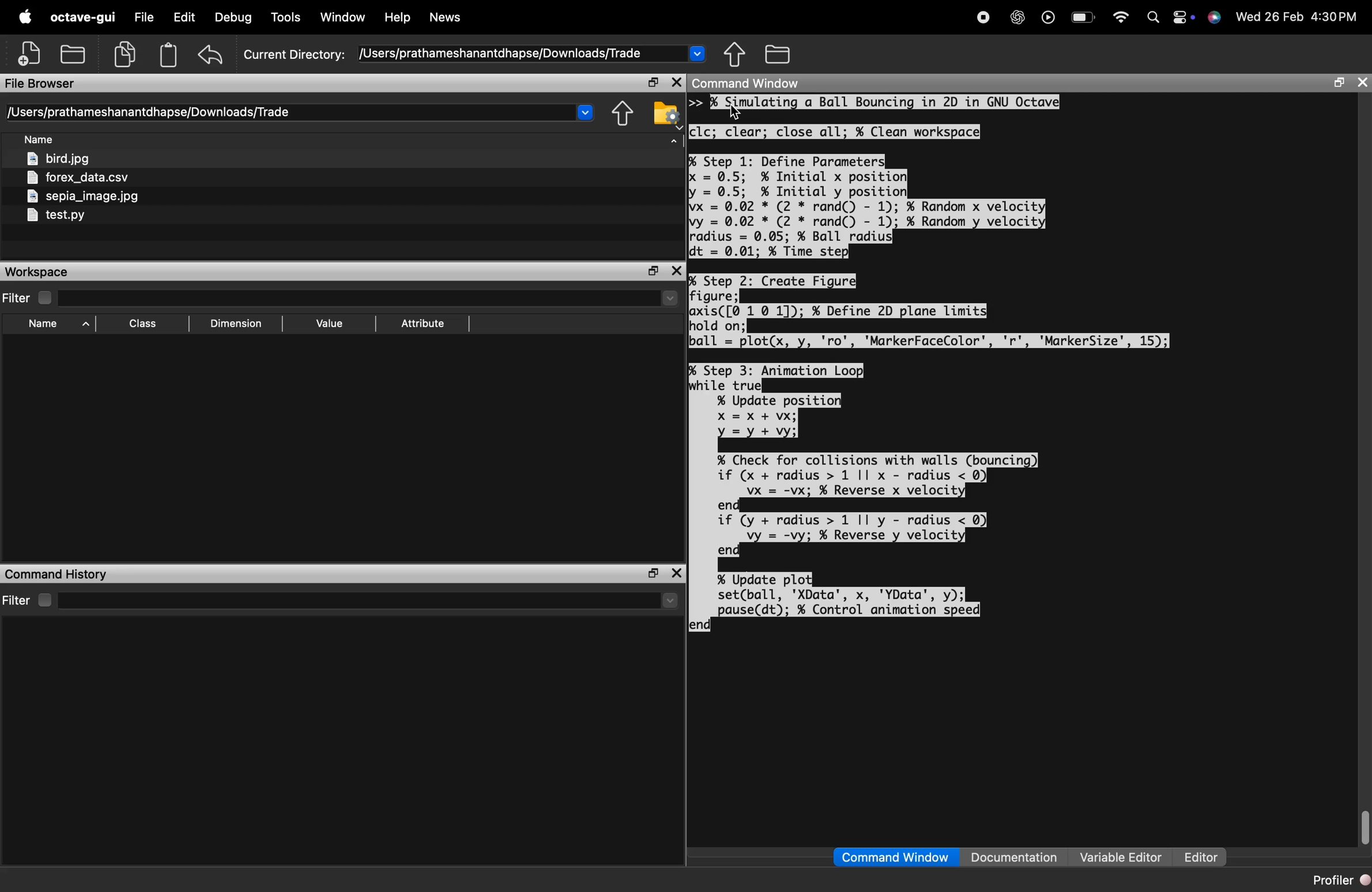 The width and height of the screenshot is (1372, 892). Describe the element at coordinates (1340, 880) in the screenshot. I see `Profiler` at that location.